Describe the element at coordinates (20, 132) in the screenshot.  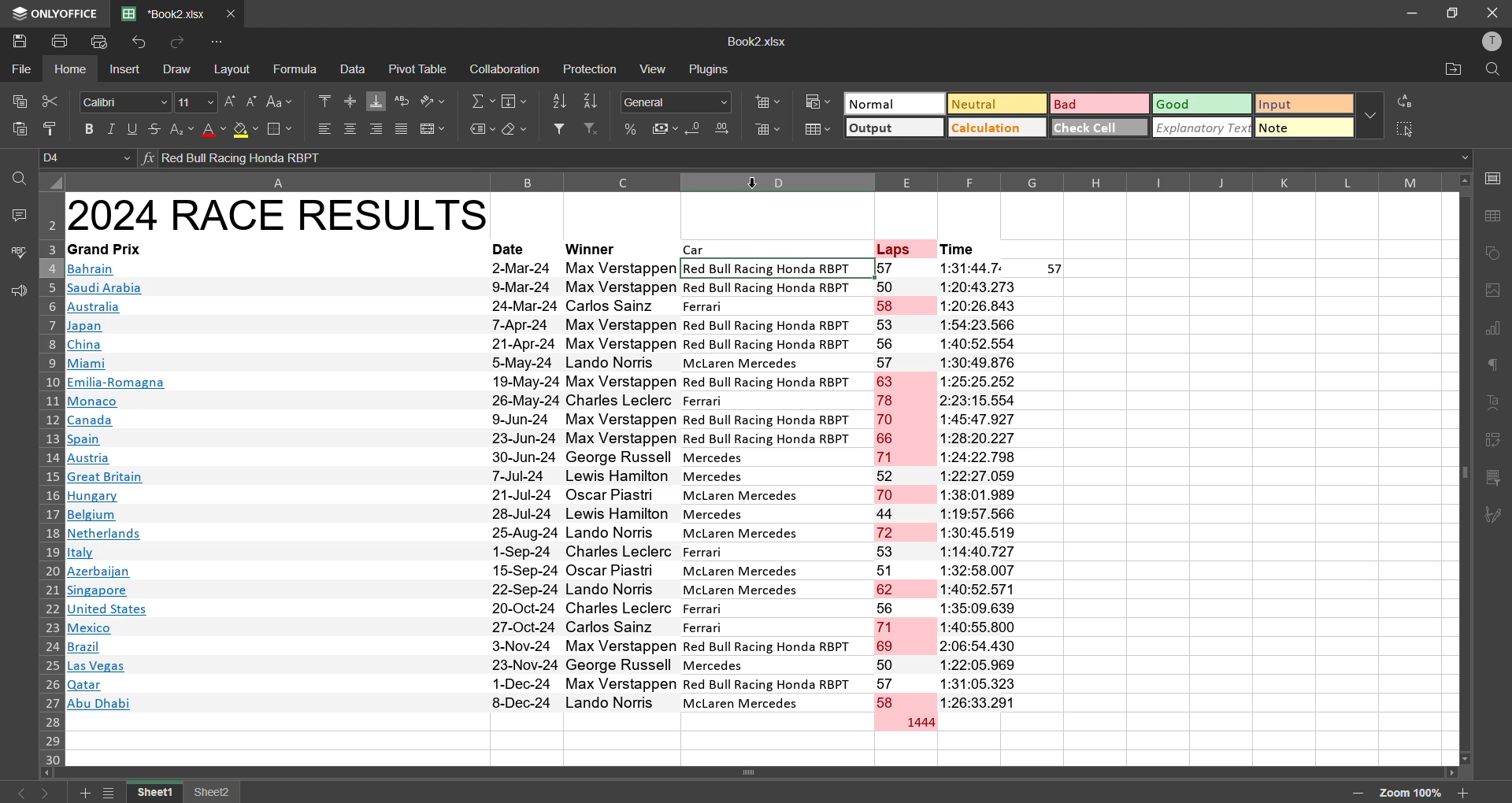
I see `paste` at that location.